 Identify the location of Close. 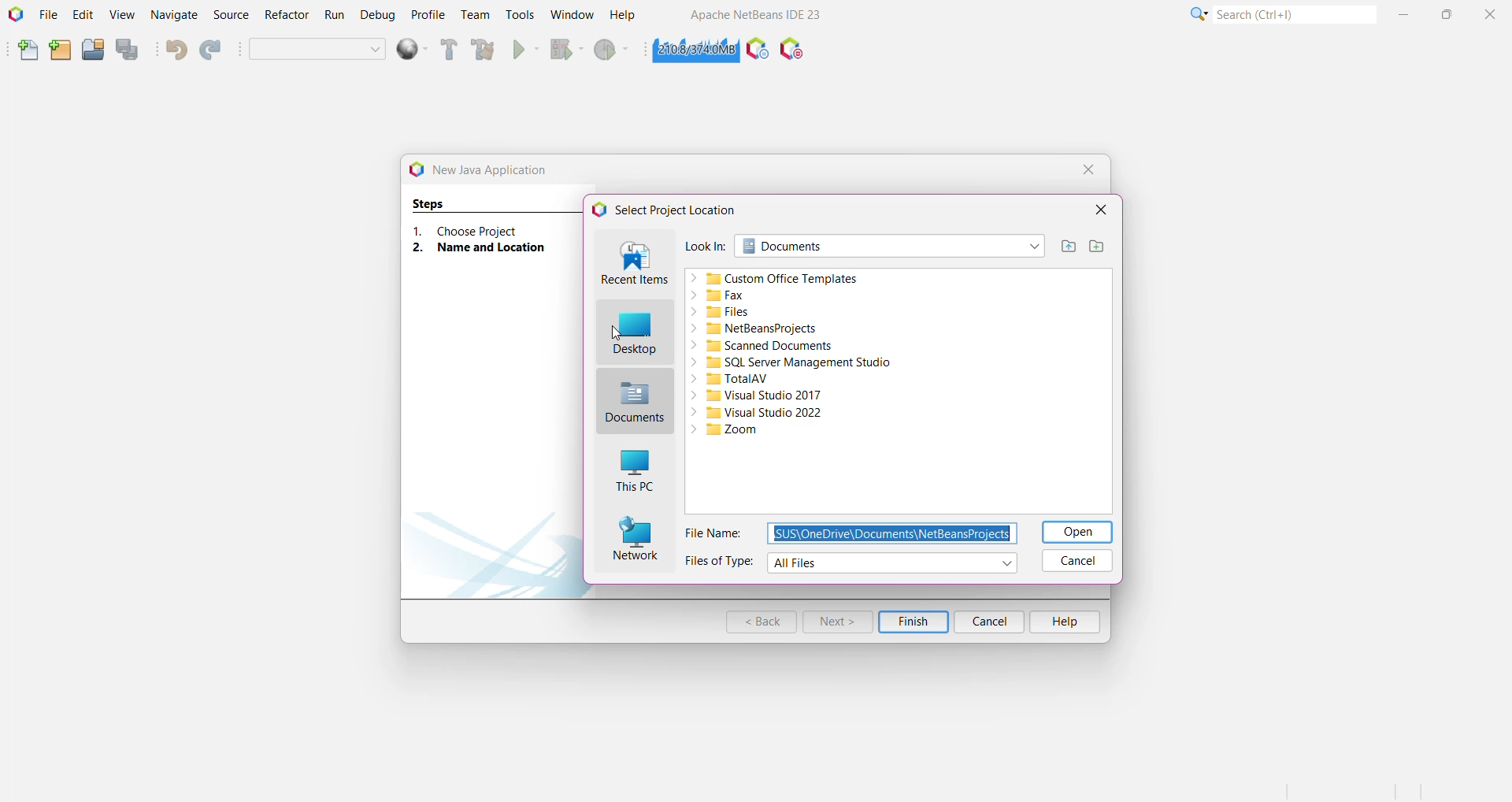
(1489, 16).